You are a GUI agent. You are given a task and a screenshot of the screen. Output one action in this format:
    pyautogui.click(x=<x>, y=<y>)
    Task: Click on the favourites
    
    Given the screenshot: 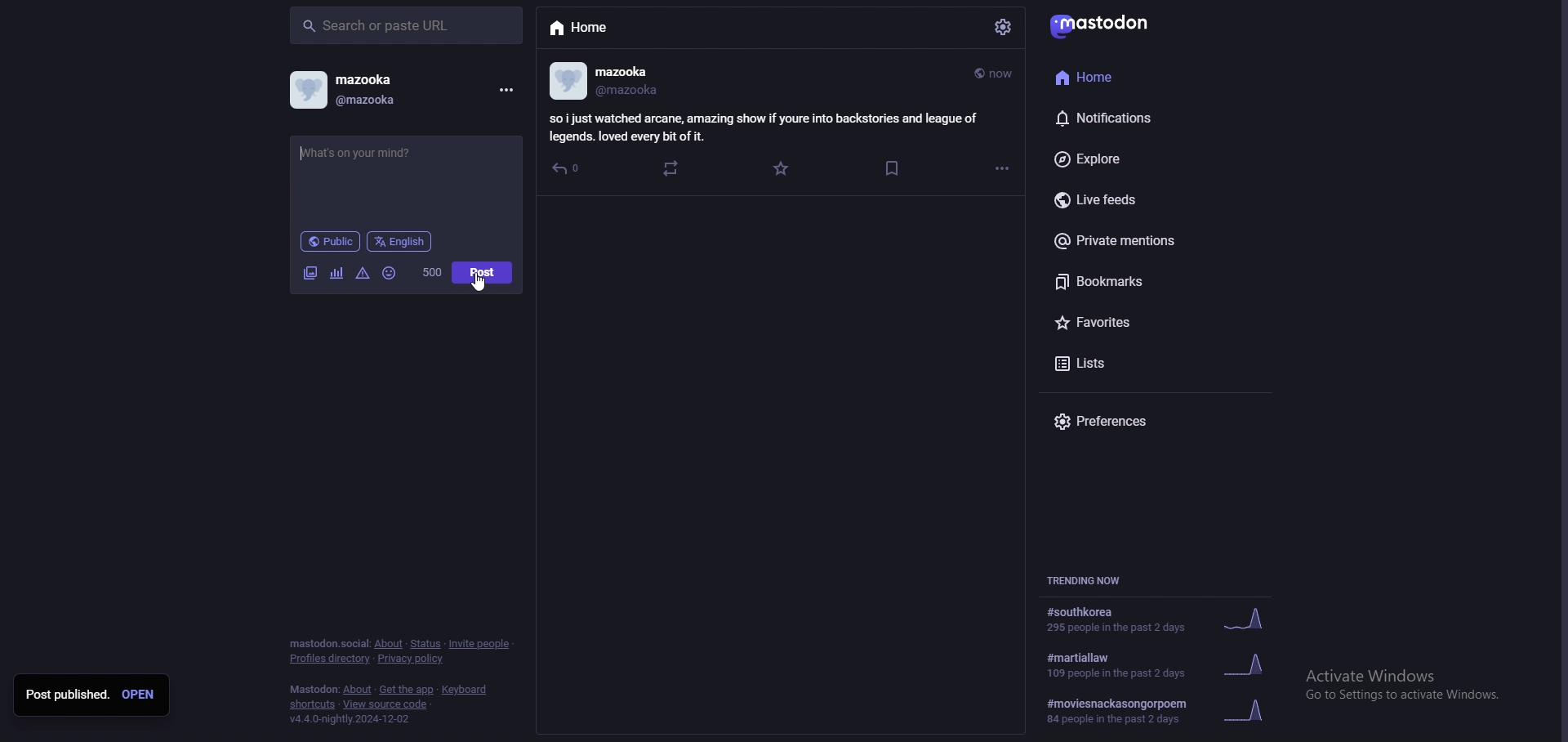 What is the action you would take?
    pyautogui.click(x=782, y=168)
    